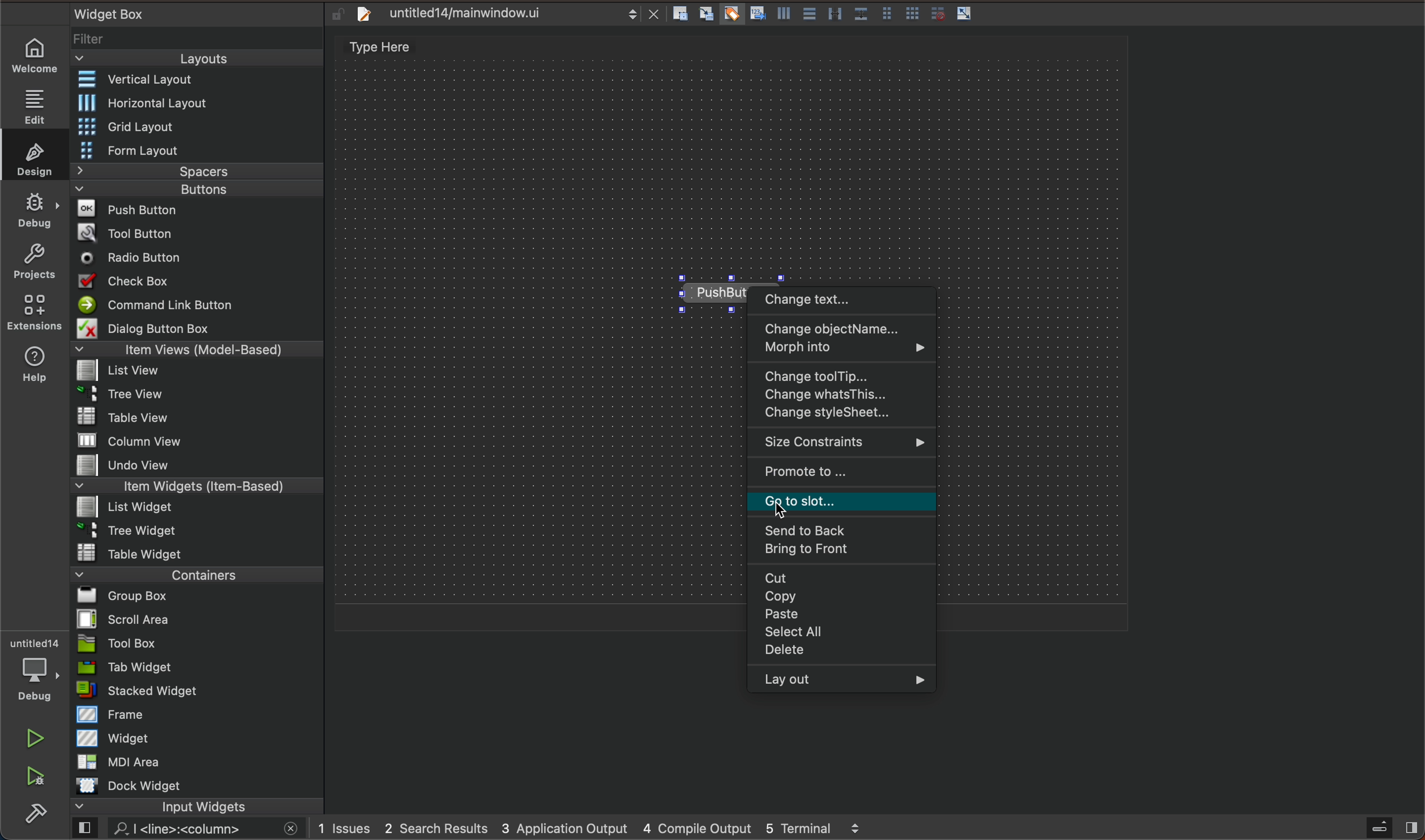  I want to click on object name, so click(841, 329).